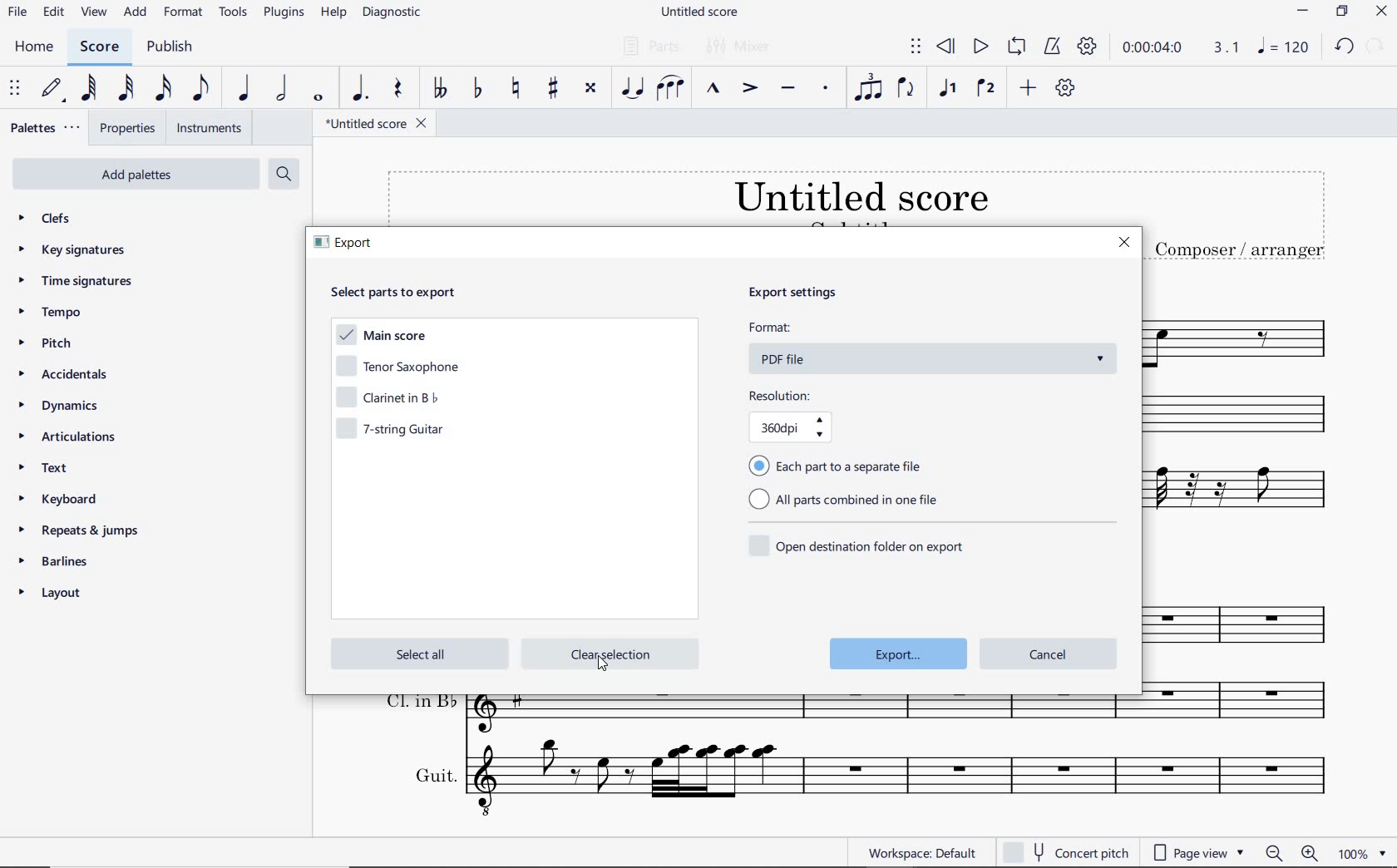 The width and height of the screenshot is (1397, 868). What do you see at coordinates (82, 530) in the screenshot?
I see `repeats & jumps` at bounding box center [82, 530].